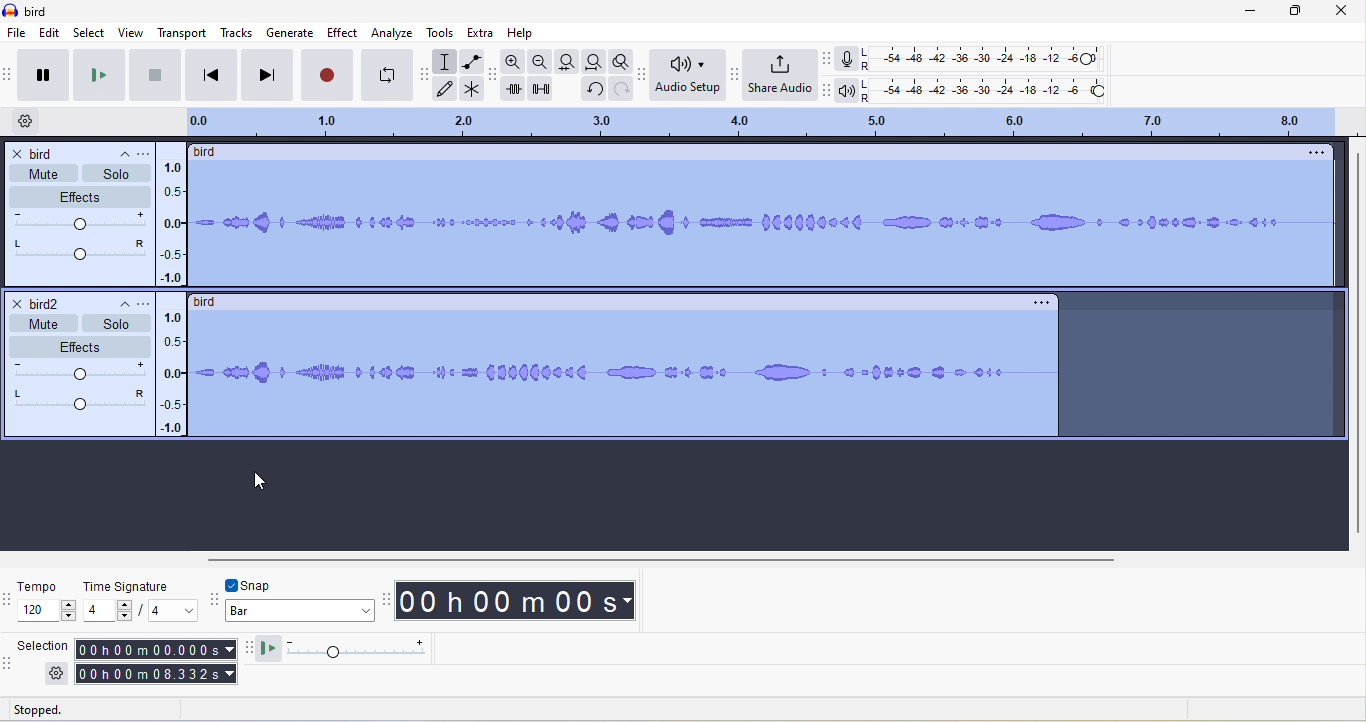 Image resolution: width=1366 pixels, height=722 pixels. I want to click on record meter, so click(843, 58).